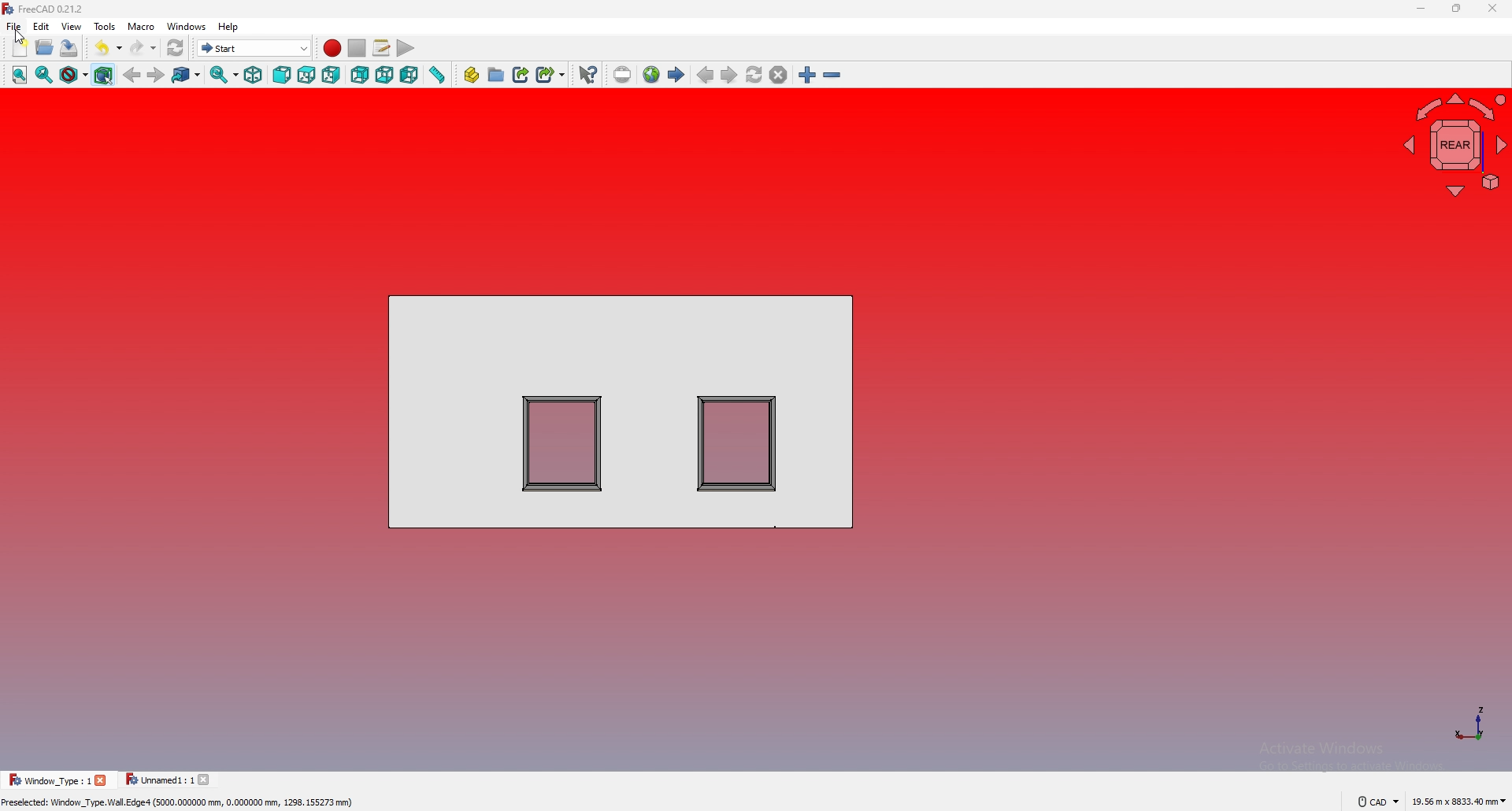 This screenshot has height=811, width=1512. What do you see at coordinates (381, 48) in the screenshot?
I see `macros` at bounding box center [381, 48].